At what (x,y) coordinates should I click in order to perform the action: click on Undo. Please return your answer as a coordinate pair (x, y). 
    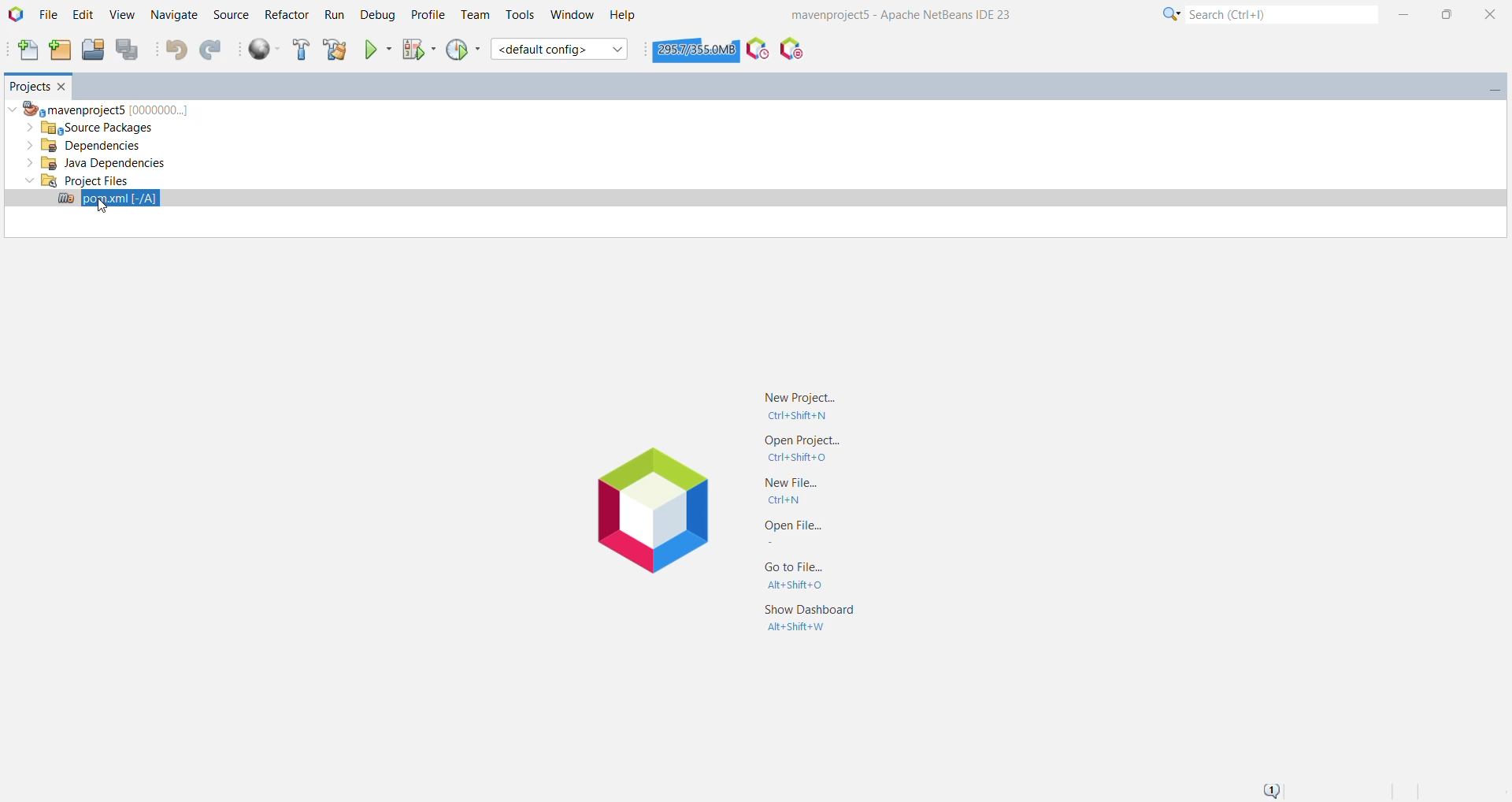
    Looking at the image, I should click on (176, 51).